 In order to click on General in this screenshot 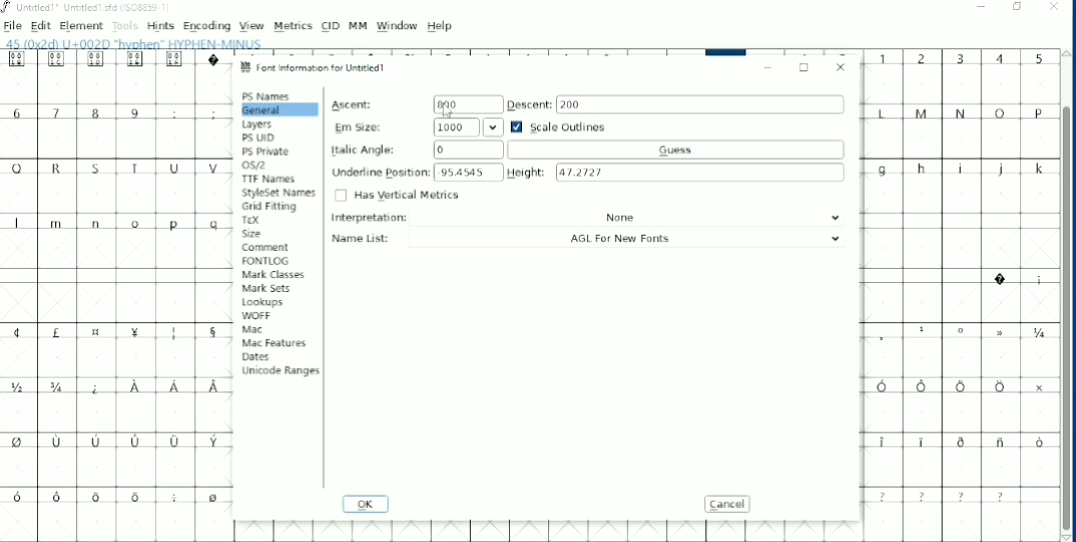, I will do `click(278, 110)`.